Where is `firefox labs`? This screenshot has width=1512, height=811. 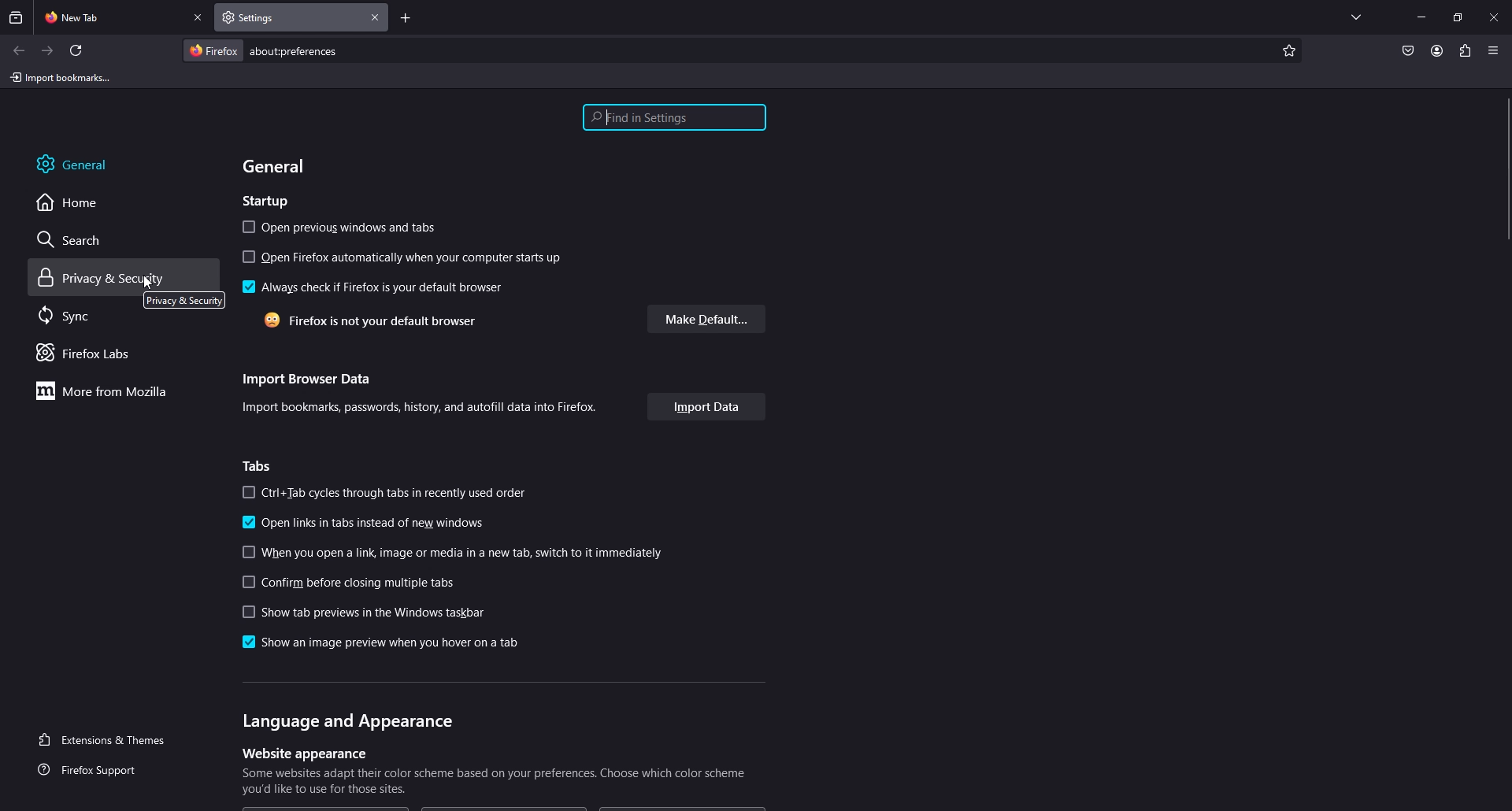 firefox labs is located at coordinates (106, 353).